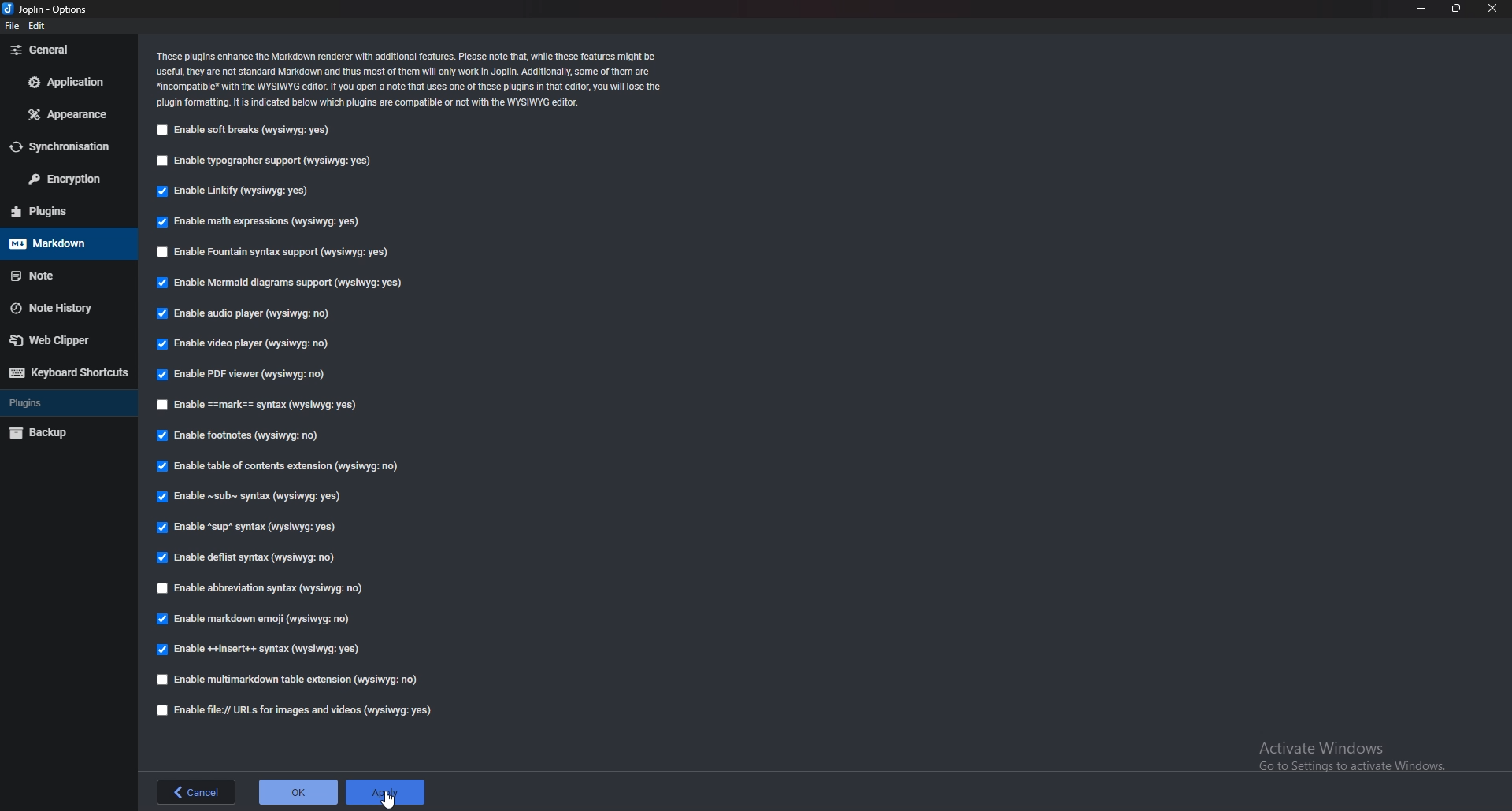 The image size is (1512, 811). Describe the element at coordinates (65, 307) in the screenshot. I see `Note history` at that location.